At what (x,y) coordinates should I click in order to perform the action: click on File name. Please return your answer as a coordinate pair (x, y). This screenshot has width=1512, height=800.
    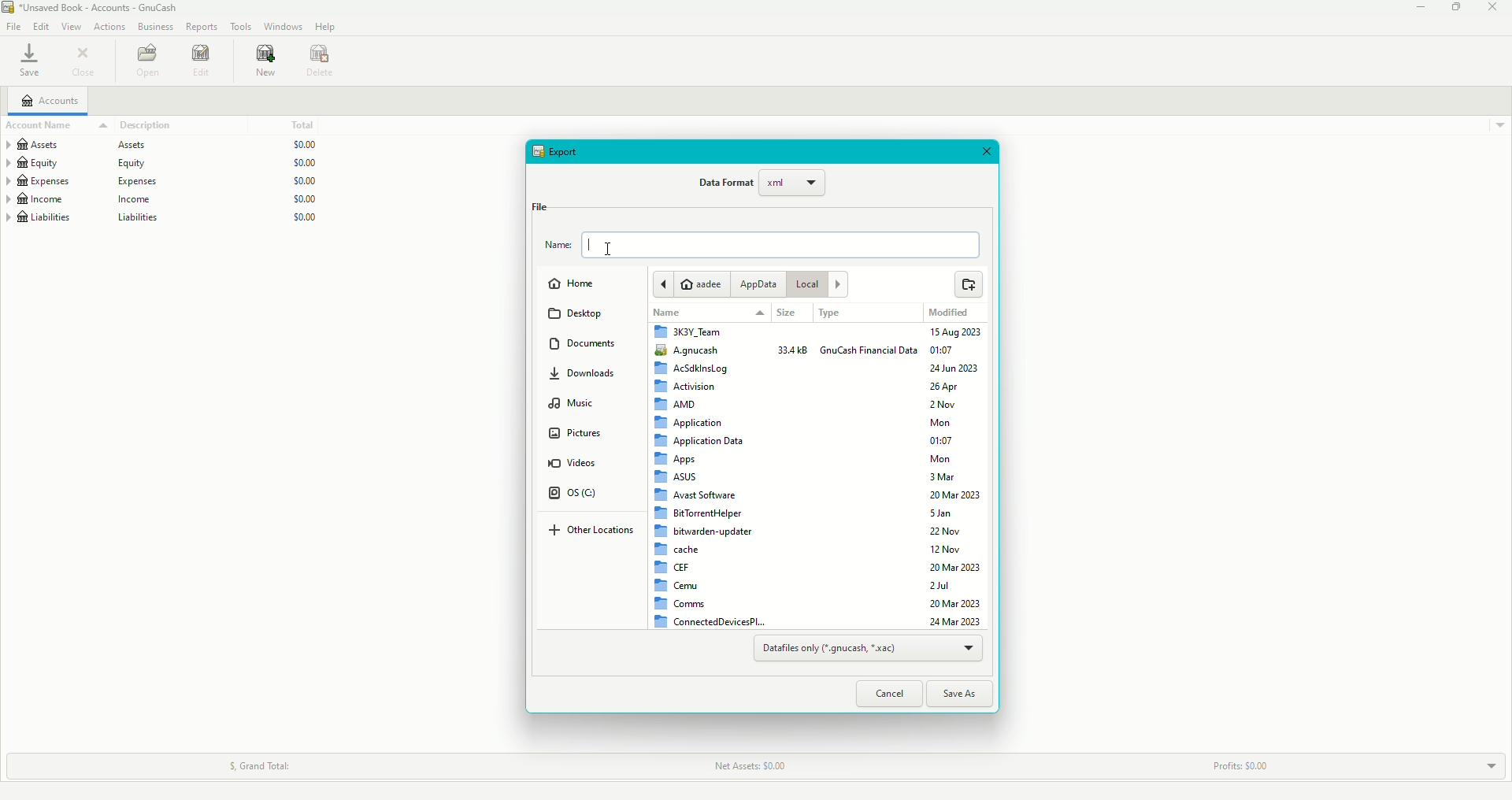
    Looking at the image, I should click on (762, 246).